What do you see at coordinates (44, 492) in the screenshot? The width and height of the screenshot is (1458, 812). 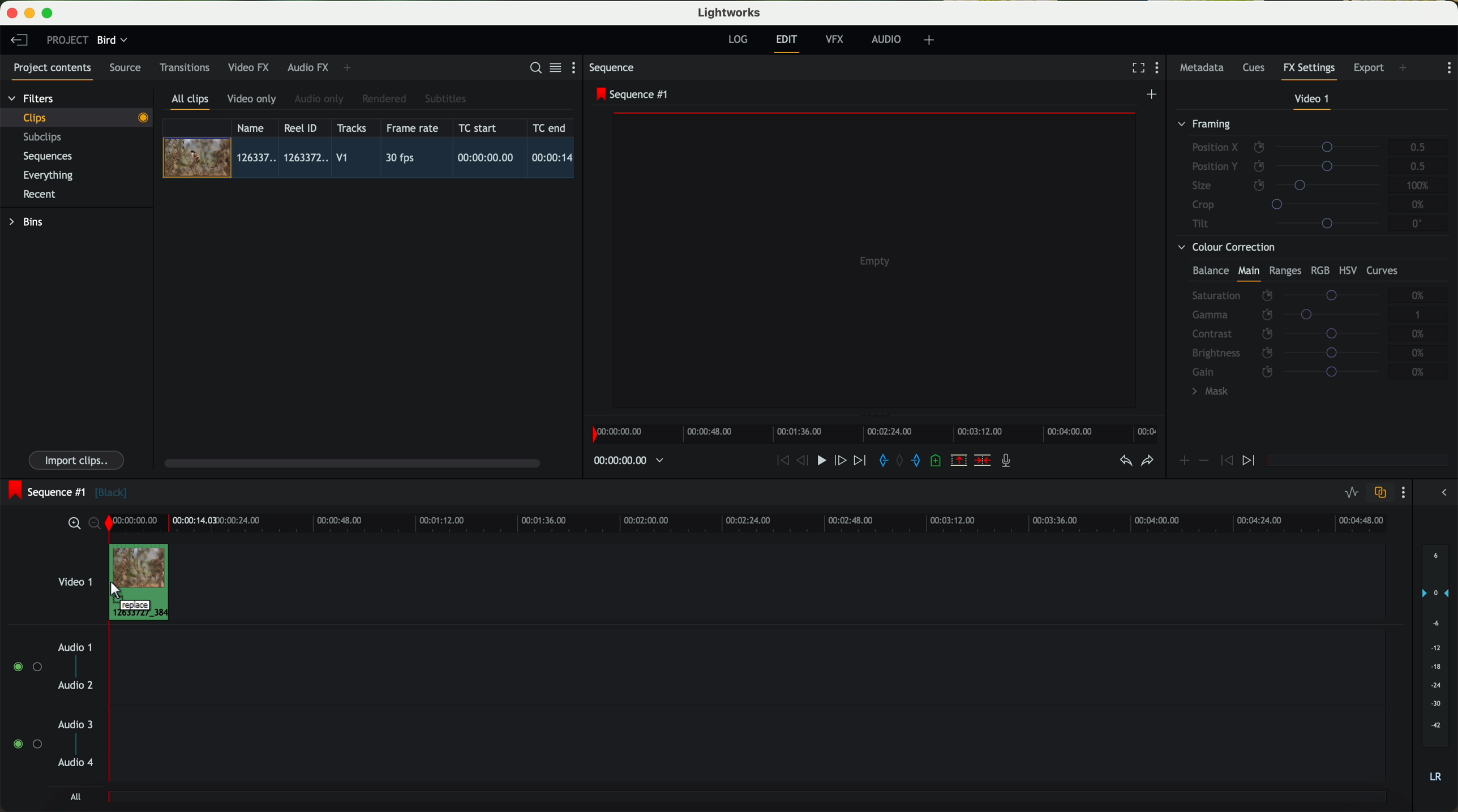 I see `sequence #1` at bounding box center [44, 492].